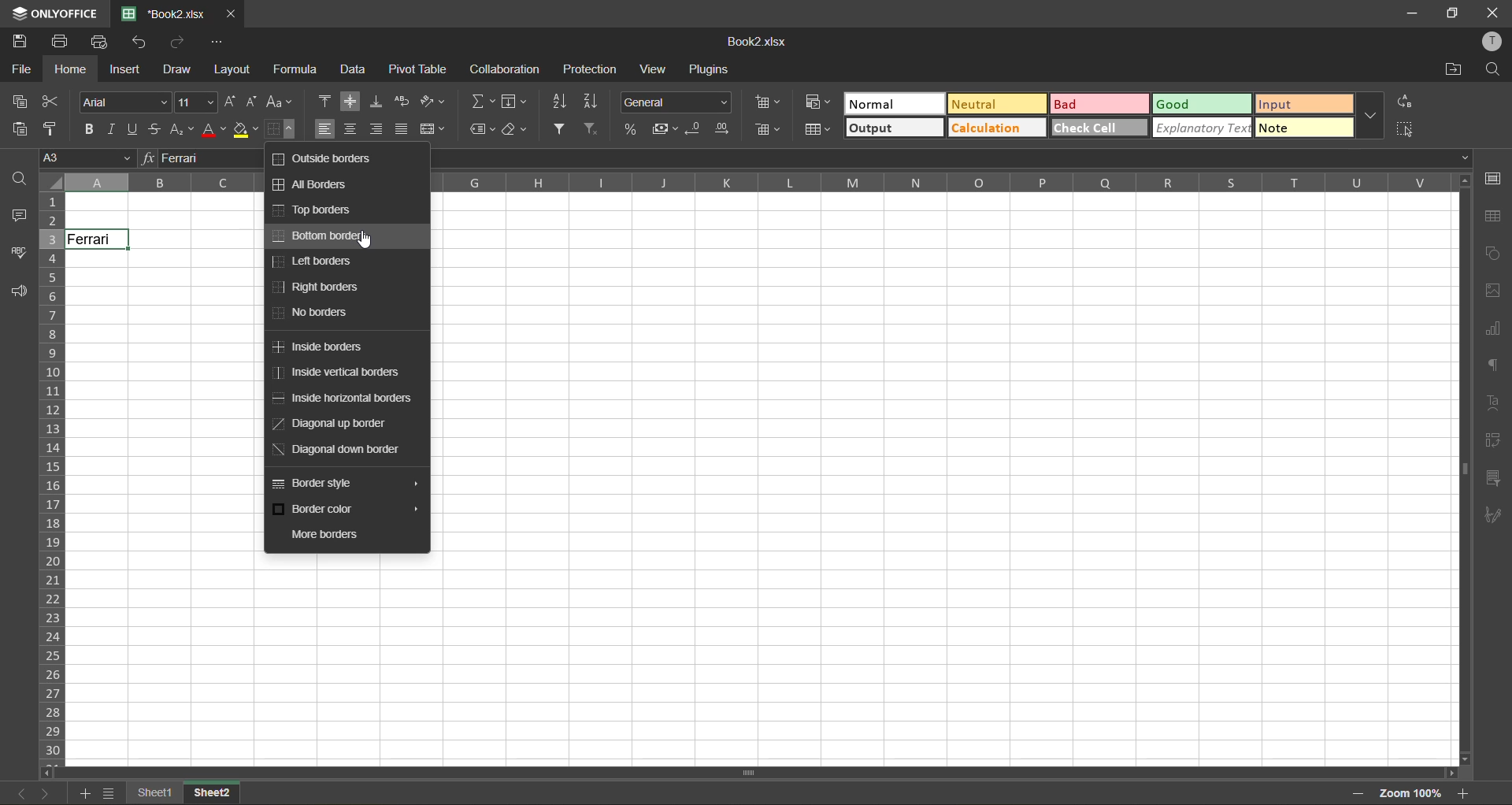 The image size is (1512, 805). Describe the element at coordinates (1100, 129) in the screenshot. I see `check cell` at that location.